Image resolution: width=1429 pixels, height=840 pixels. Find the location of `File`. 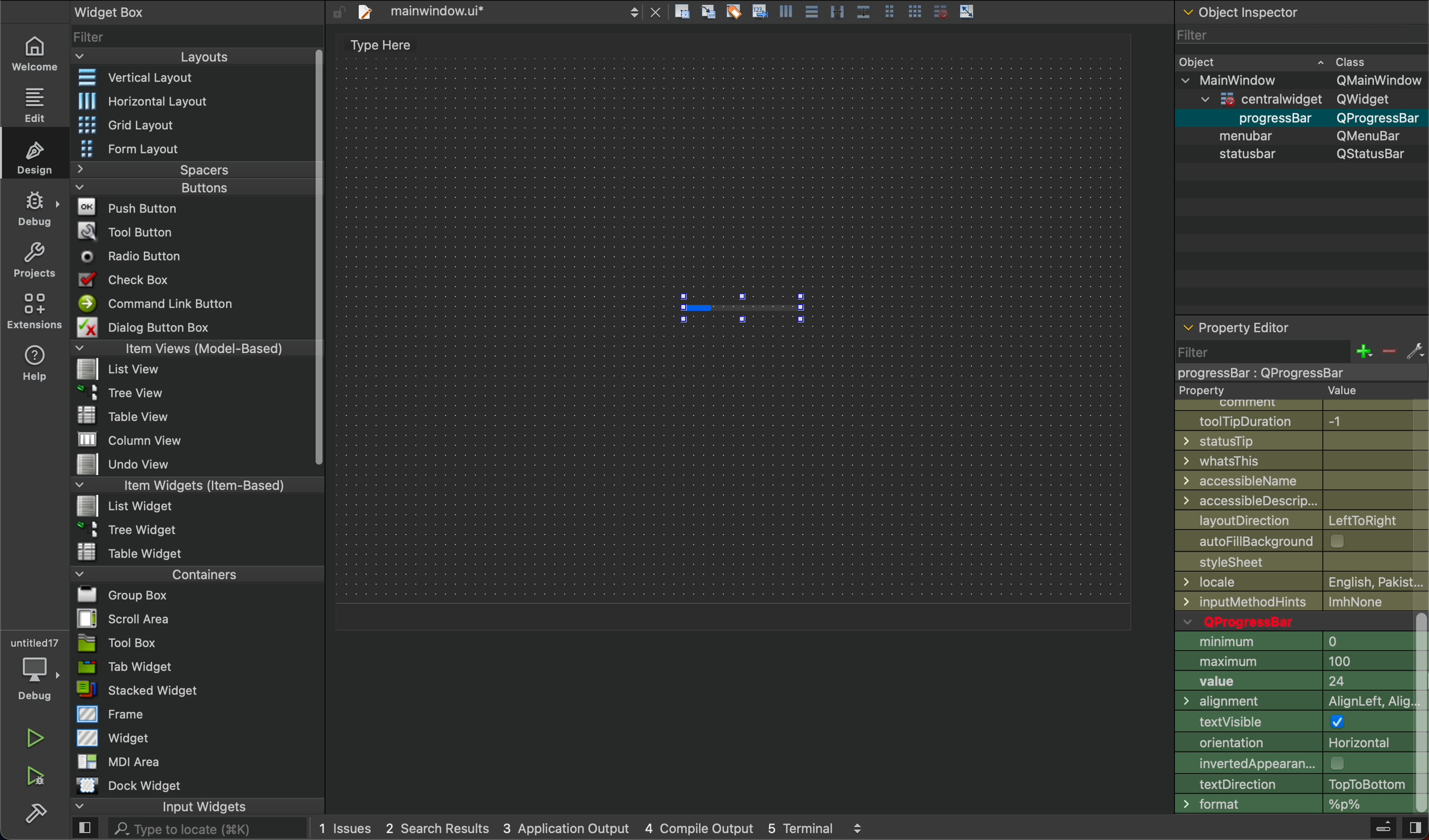

File is located at coordinates (133, 440).